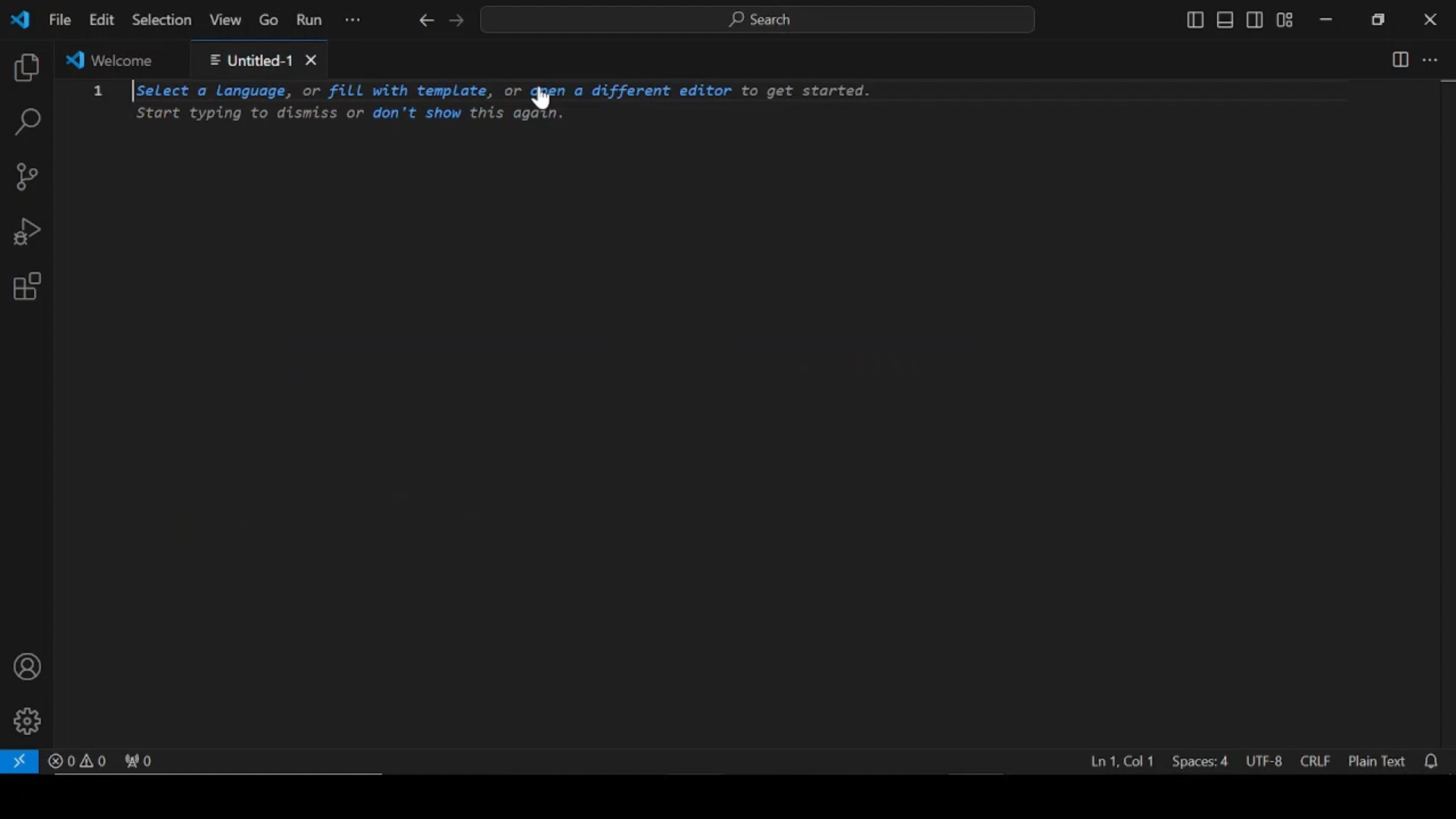 Image resolution: width=1456 pixels, height=819 pixels. What do you see at coordinates (27, 177) in the screenshot?
I see `source control` at bounding box center [27, 177].